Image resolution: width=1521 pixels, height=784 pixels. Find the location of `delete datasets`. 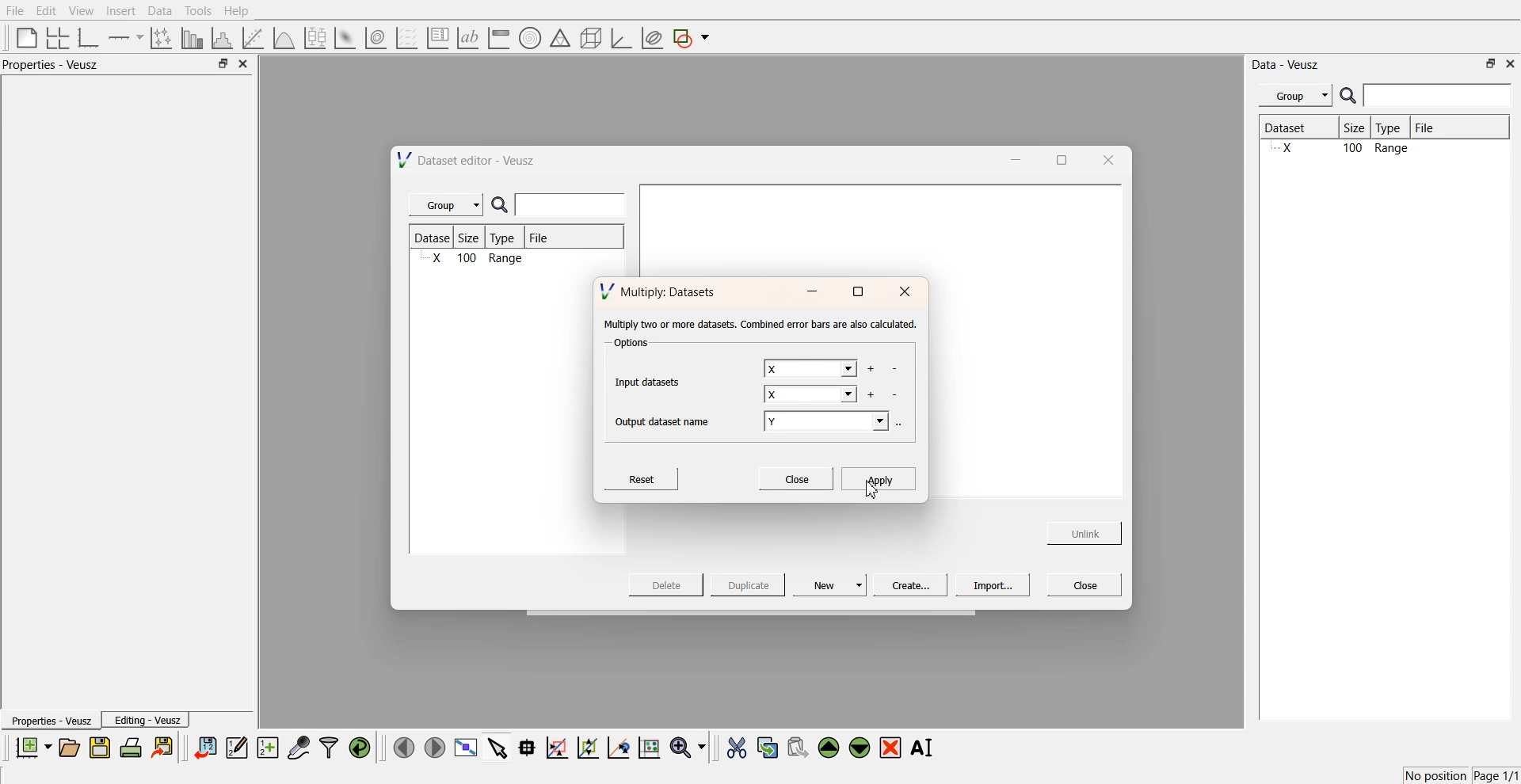

delete datasets is located at coordinates (894, 370).